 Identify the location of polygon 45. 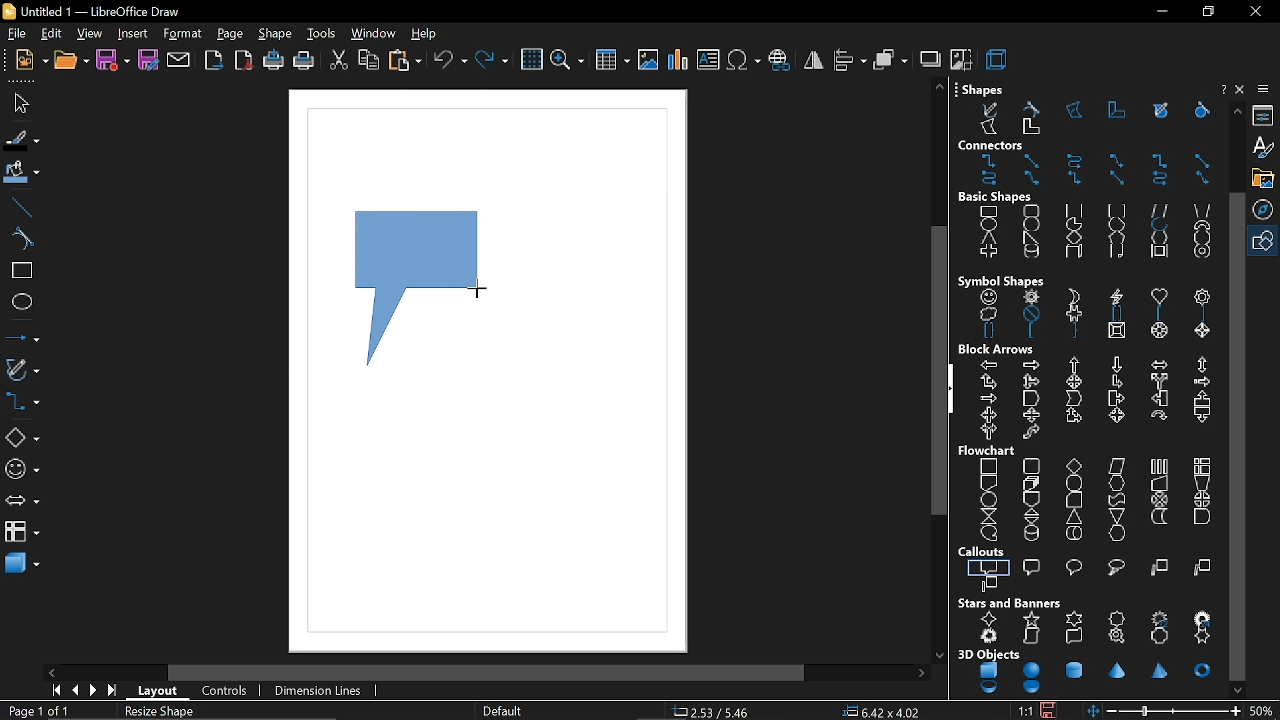
(1118, 110).